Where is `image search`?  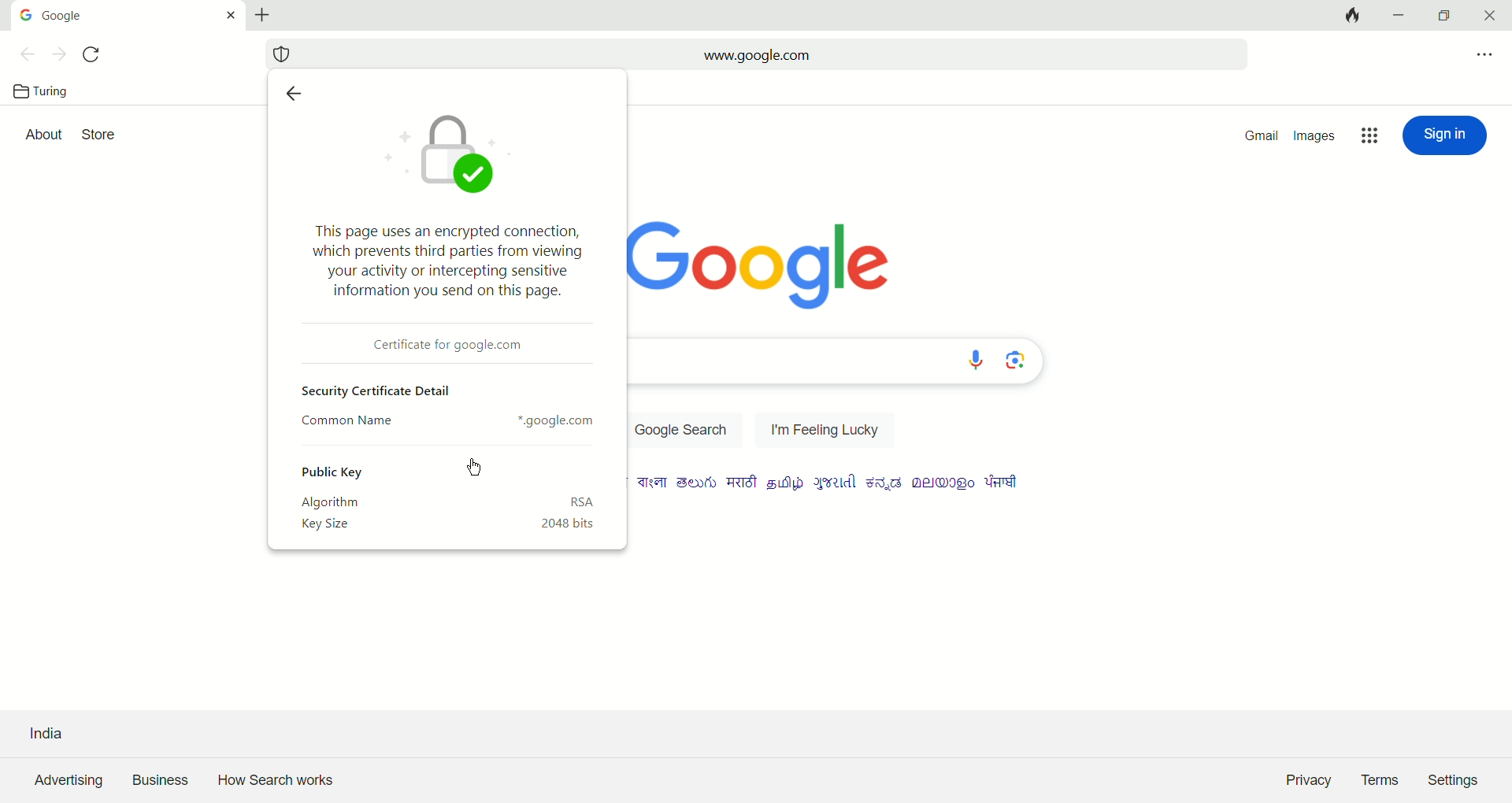 image search is located at coordinates (1017, 361).